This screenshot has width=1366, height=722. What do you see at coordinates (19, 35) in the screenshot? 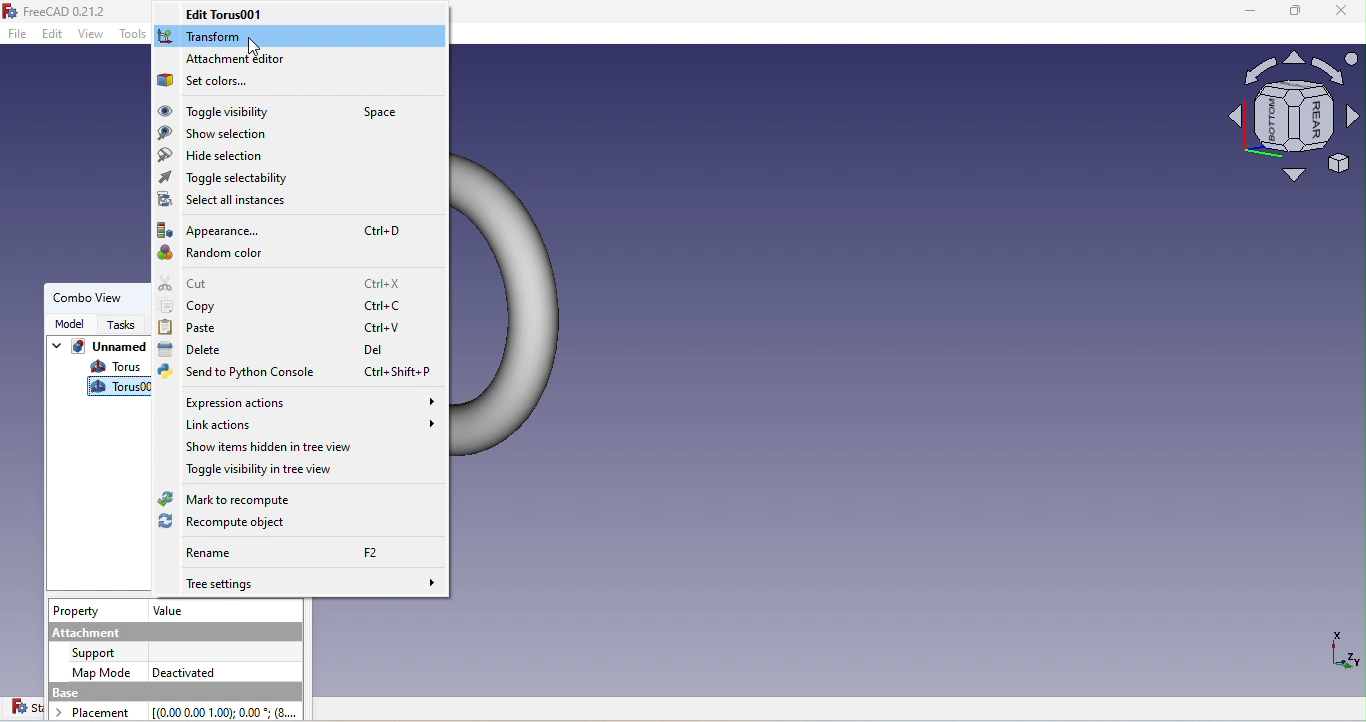
I see `File` at bounding box center [19, 35].